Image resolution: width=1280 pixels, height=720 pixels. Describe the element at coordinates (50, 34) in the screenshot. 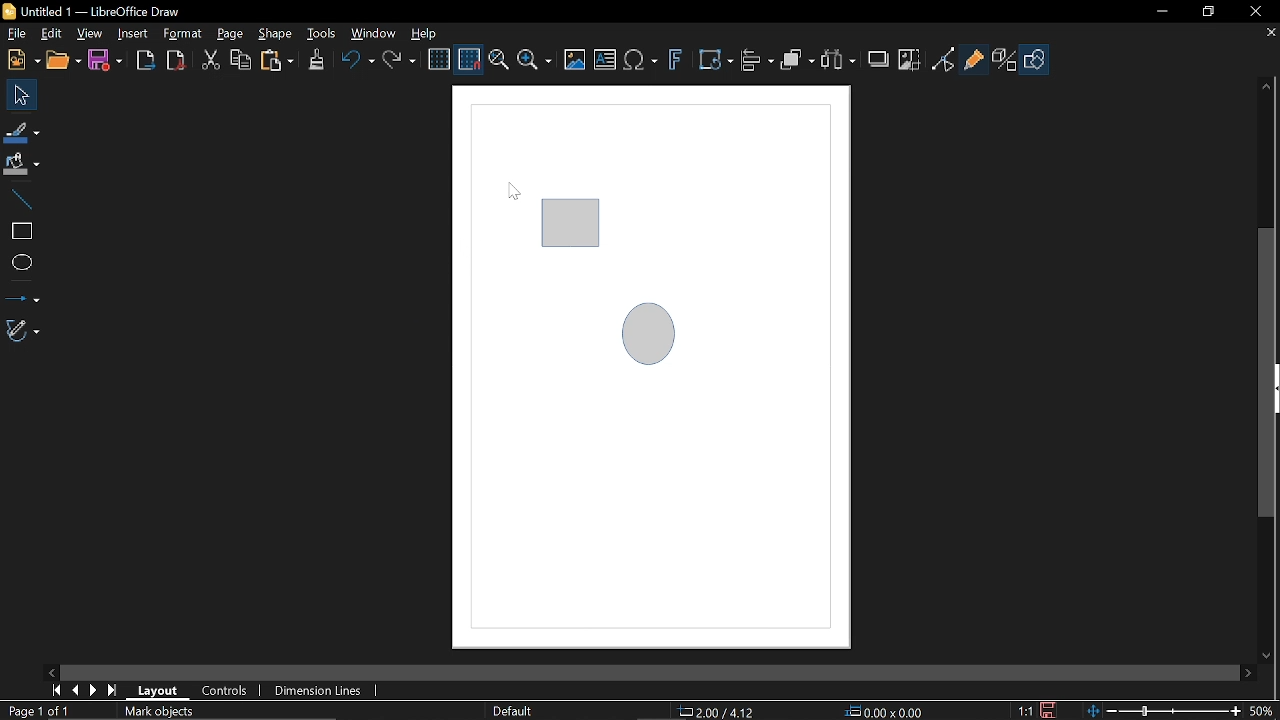

I see `Edit` at that location.